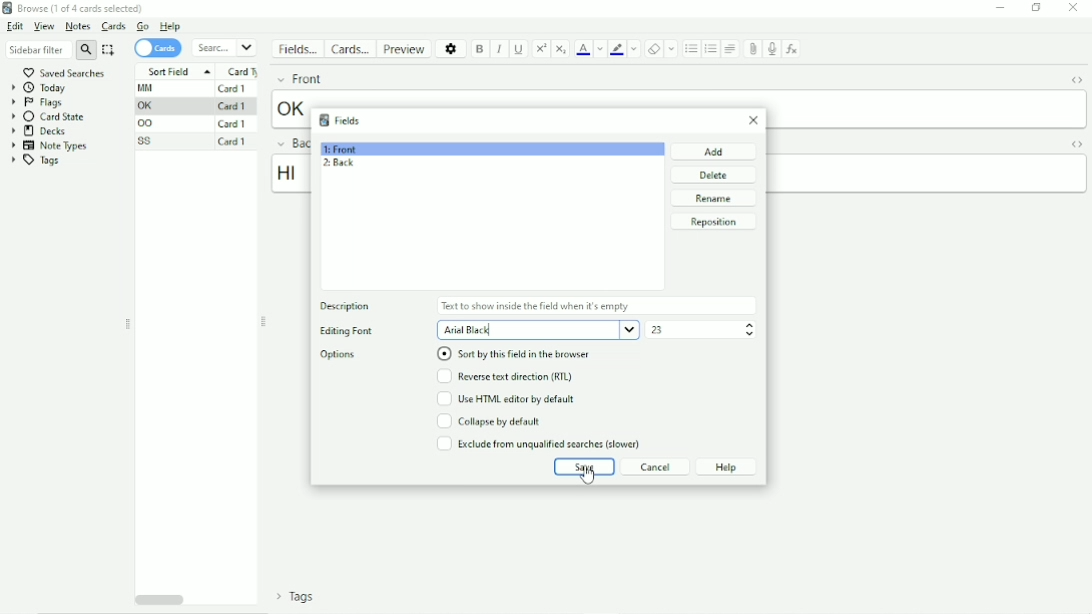  What do you see at coordinates (43, 26) in the screenshot?
I see `View` at bounding box center [43, 26].